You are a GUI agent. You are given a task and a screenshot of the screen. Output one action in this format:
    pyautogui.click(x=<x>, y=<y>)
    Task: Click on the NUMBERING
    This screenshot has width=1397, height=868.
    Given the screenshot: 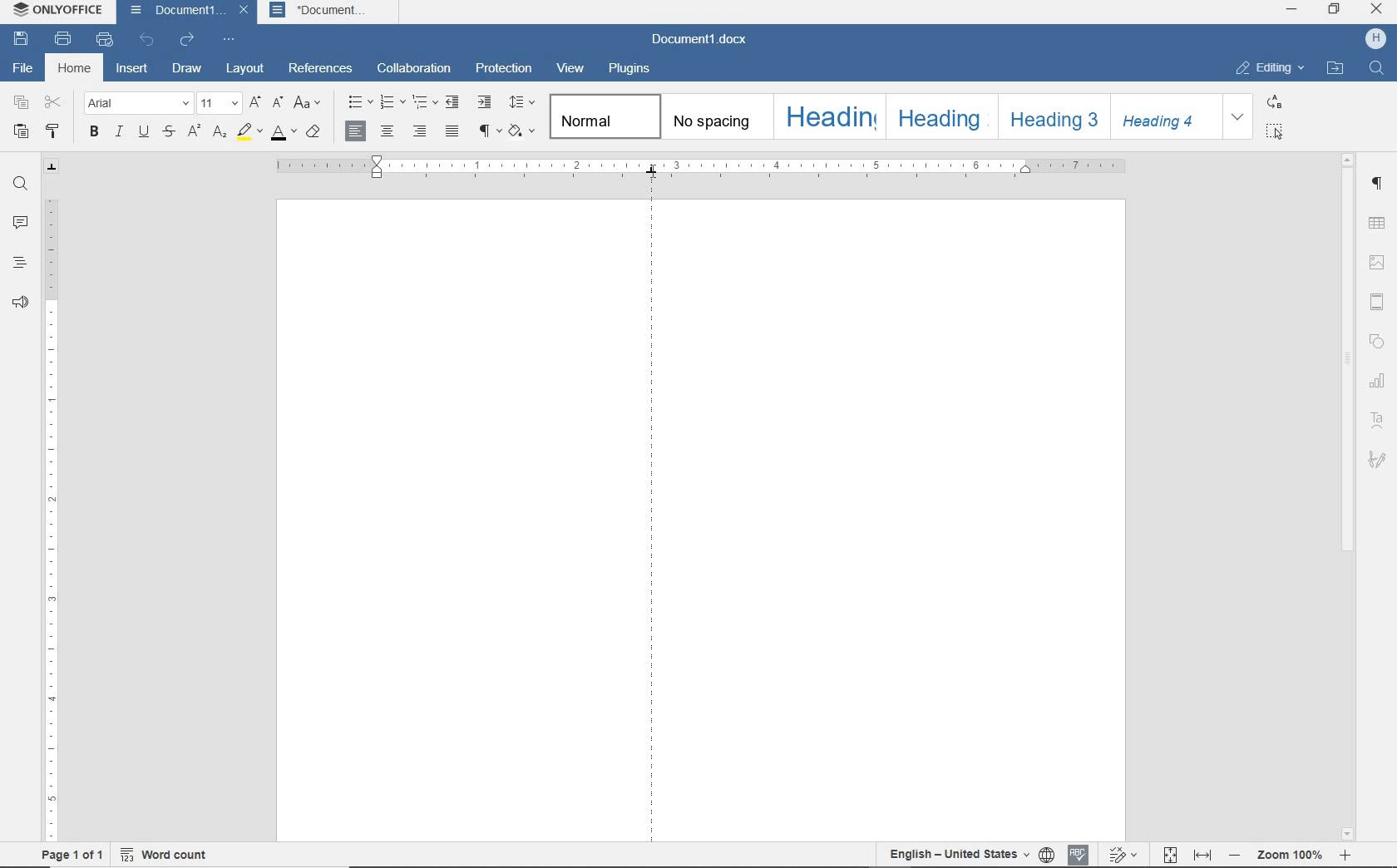 What is the action you would take?
    pyautogui.click(x=393, y=103)
    